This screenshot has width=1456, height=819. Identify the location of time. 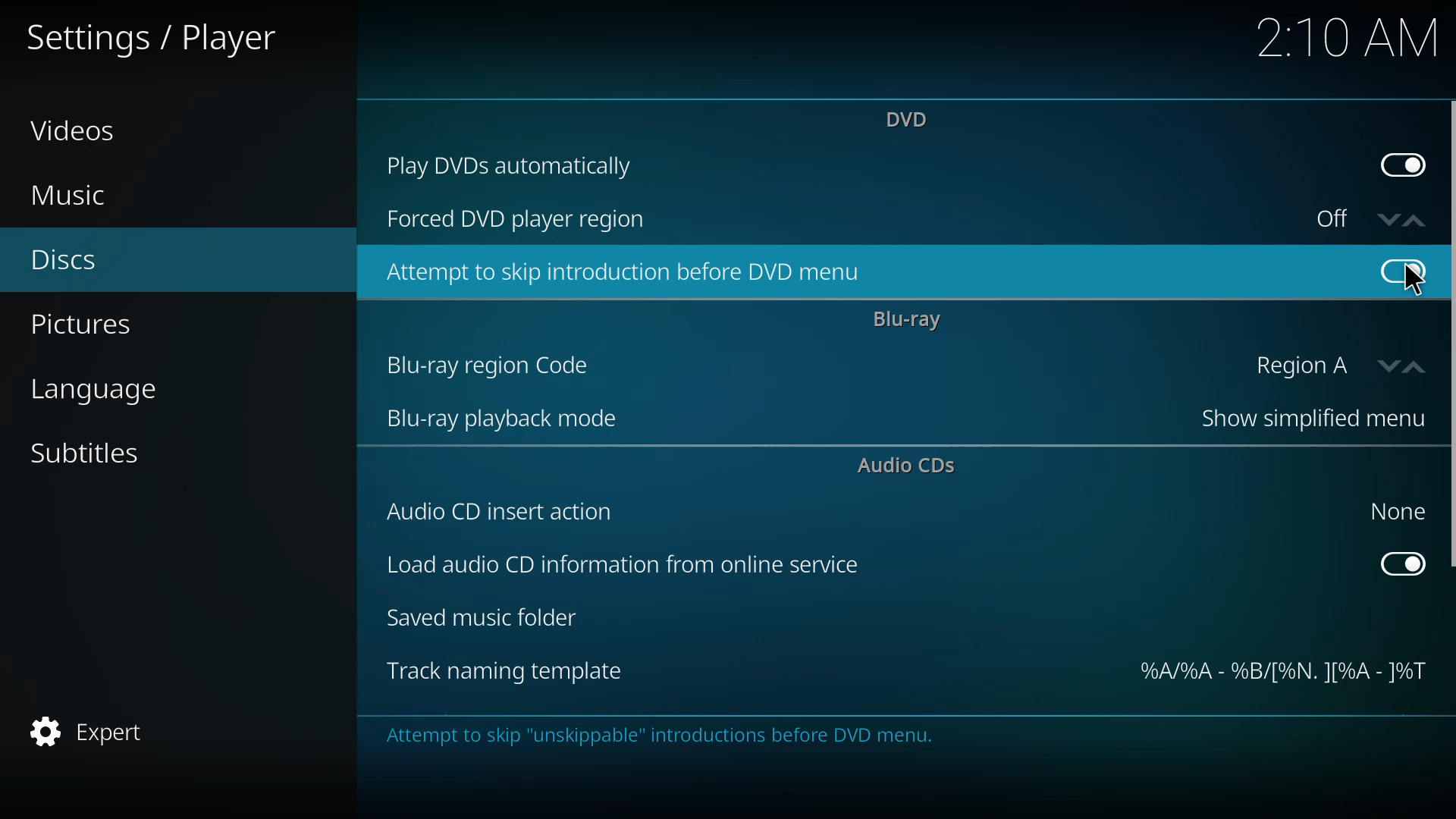
(1348, 38).